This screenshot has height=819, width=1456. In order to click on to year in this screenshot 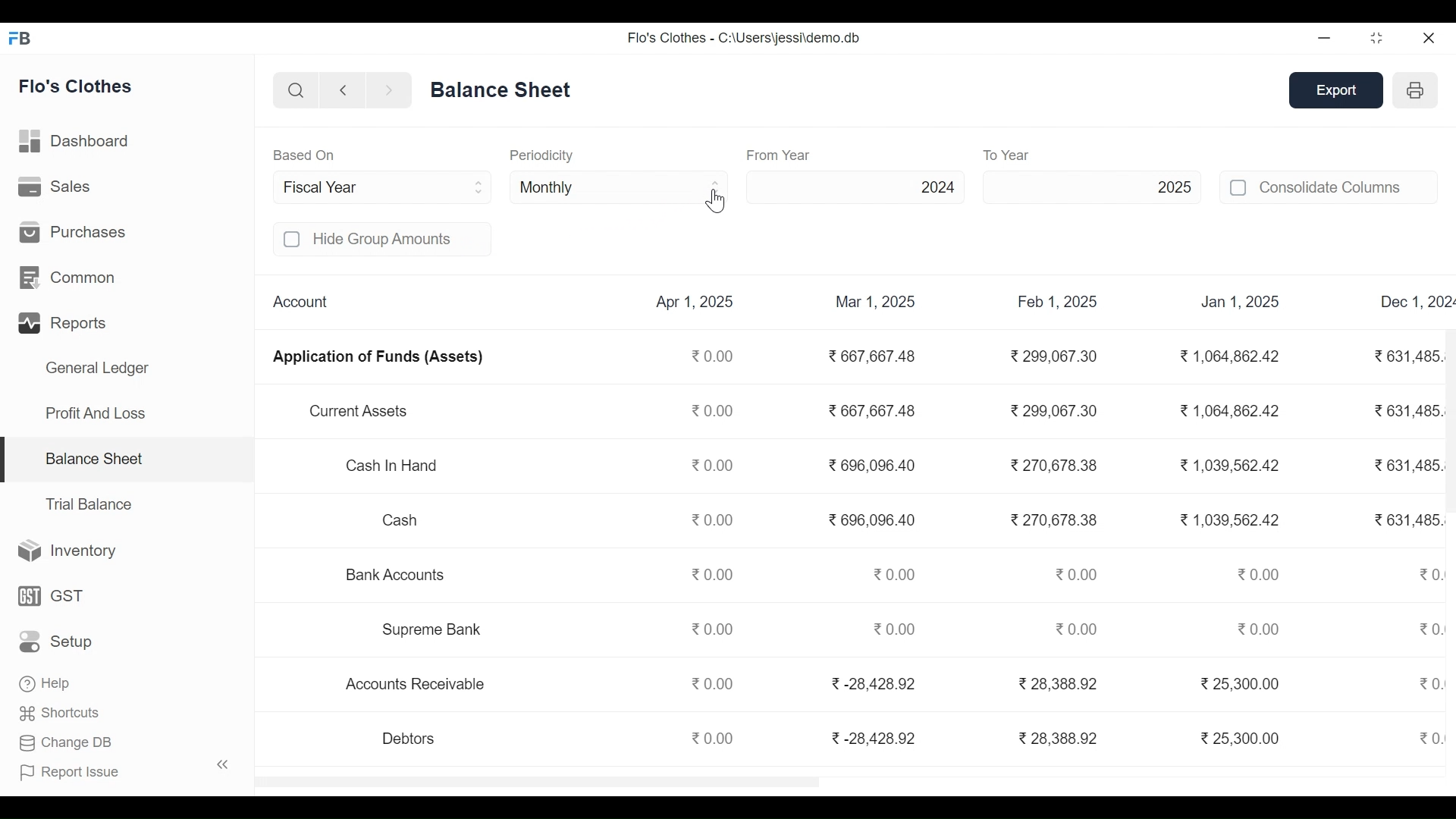, I will do `click(1039, 155)`.